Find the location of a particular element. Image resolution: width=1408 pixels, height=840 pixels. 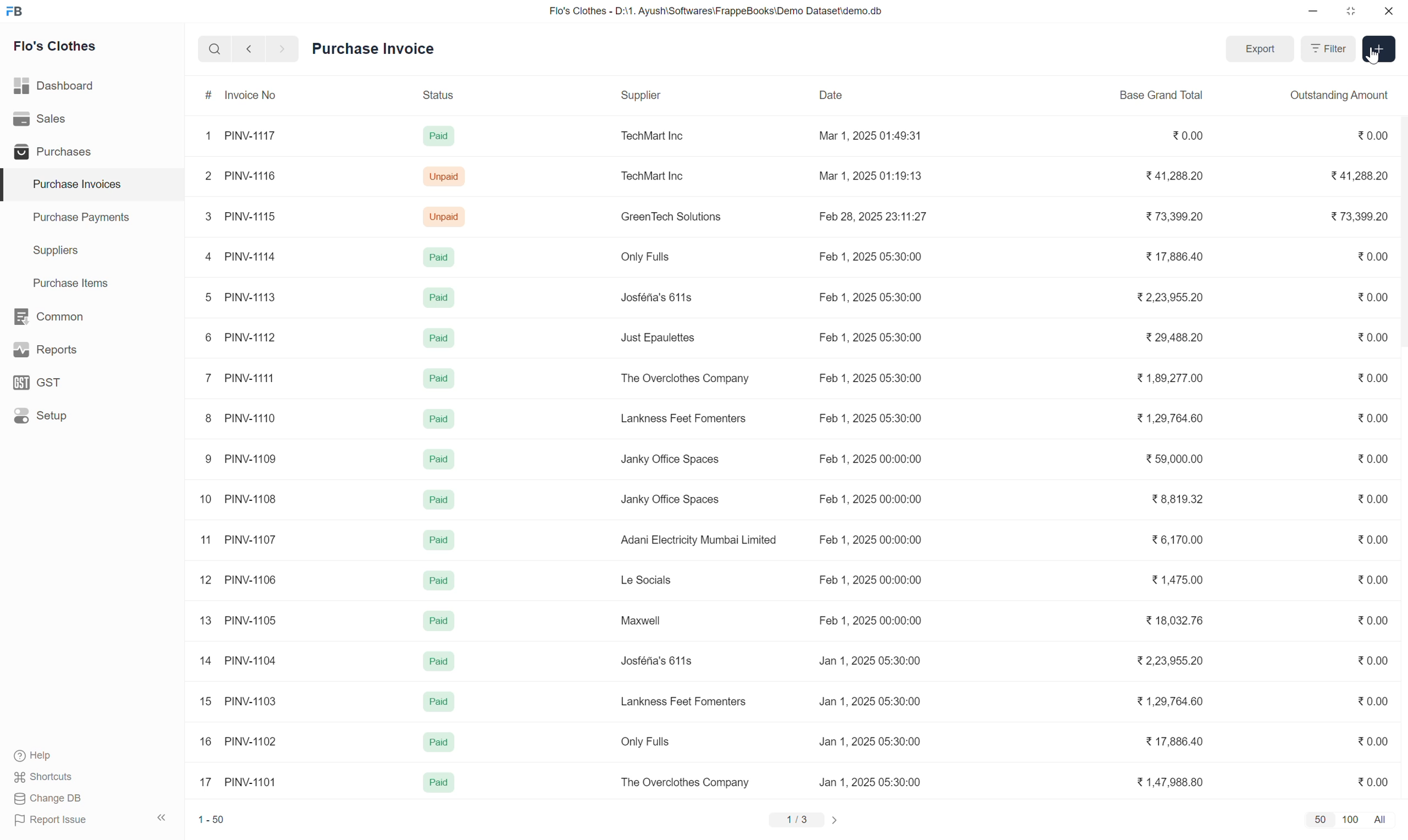

6,170.00 is located at coordinates (1177, 538).